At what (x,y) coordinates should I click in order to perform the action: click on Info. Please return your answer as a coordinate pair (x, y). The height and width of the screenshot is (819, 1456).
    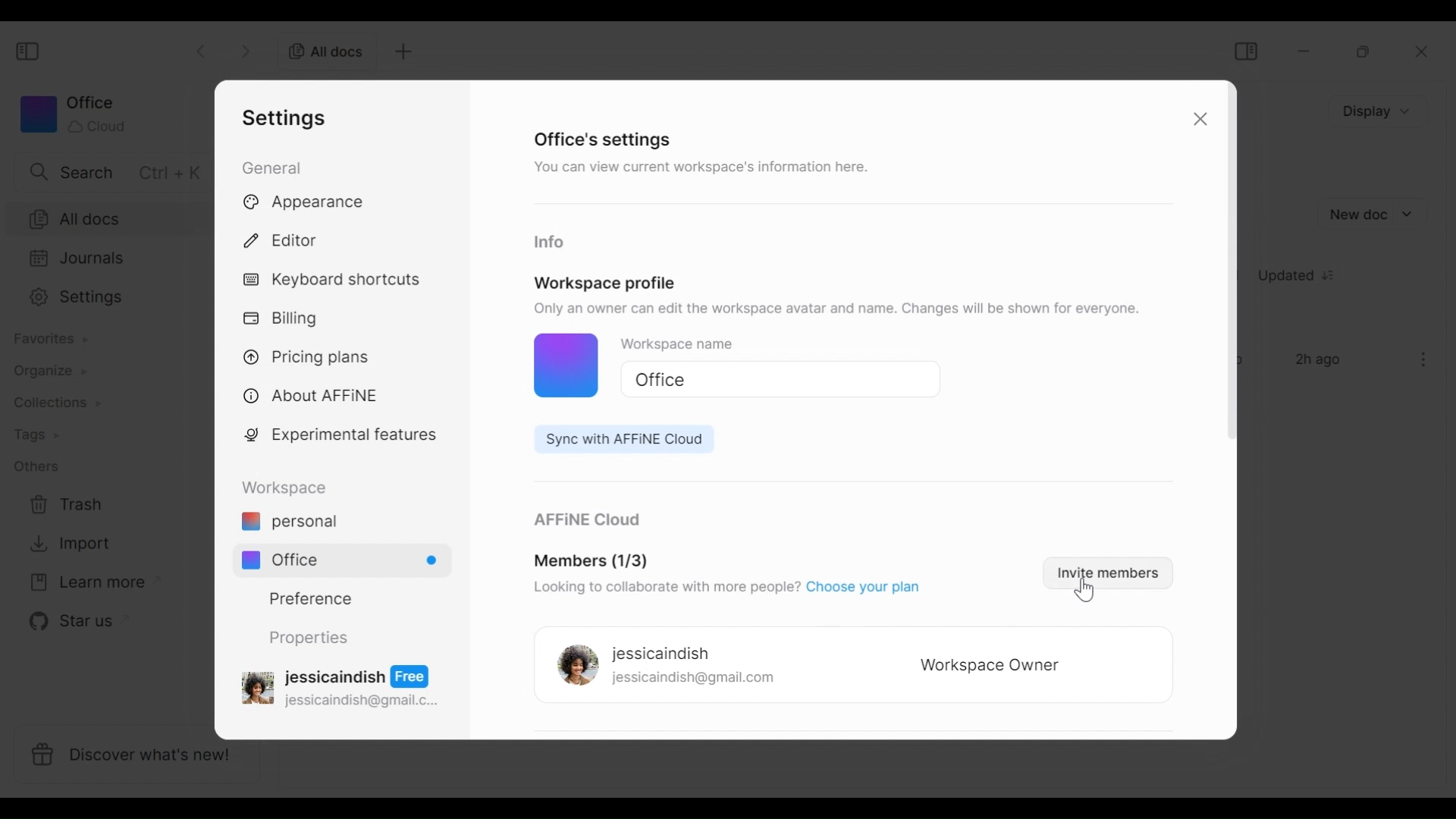
    Looking at the image, I should click on (548, 243).